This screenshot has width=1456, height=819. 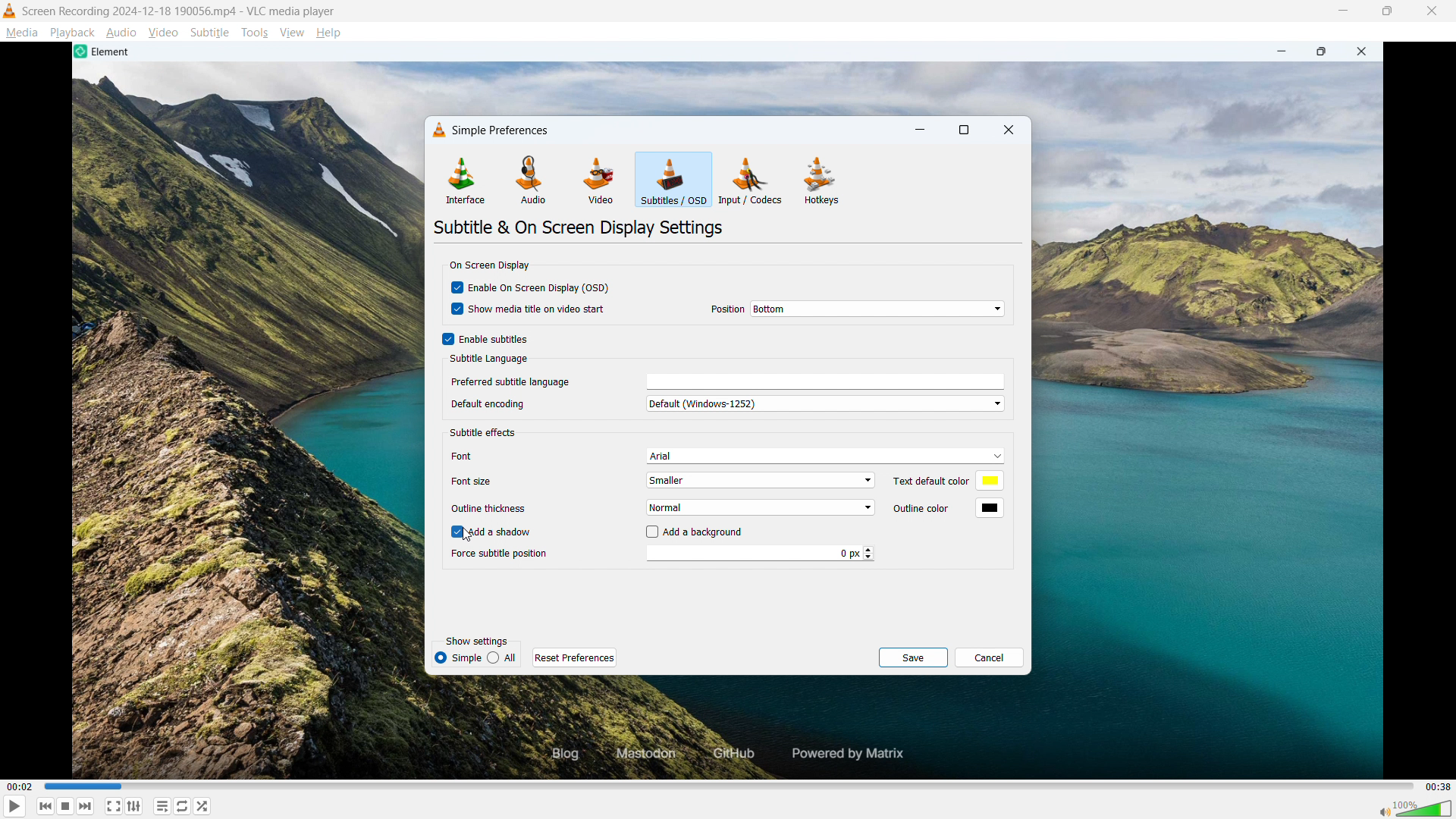 What do you see at coordinates (721, 309) in the screenshot?
I see `position` at bounding box center [721, 309].